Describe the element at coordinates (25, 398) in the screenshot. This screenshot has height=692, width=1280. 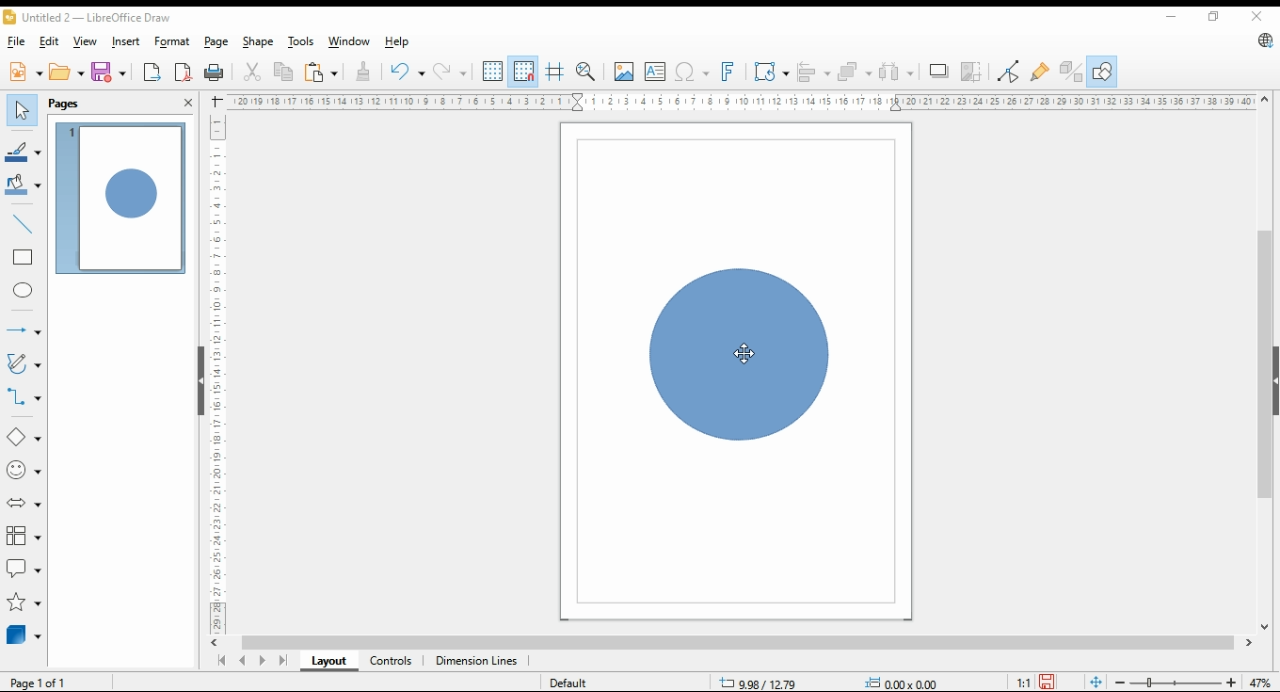
I see `connectors` at that location.